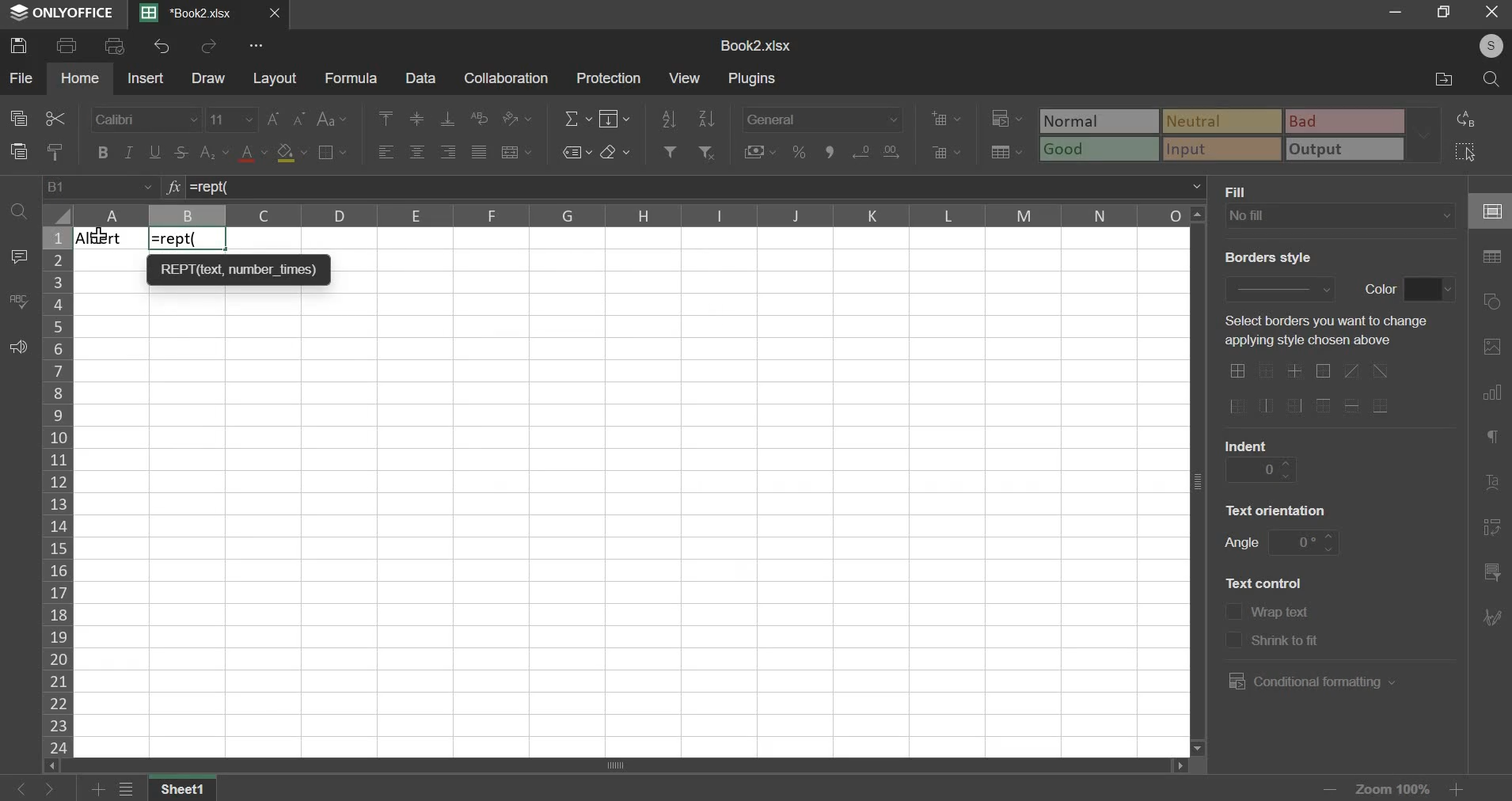 The width and height of the screenshot is (1512, 801). Describe the element at coordinates (277, 13) in the screenshot. I see `close` at that location.